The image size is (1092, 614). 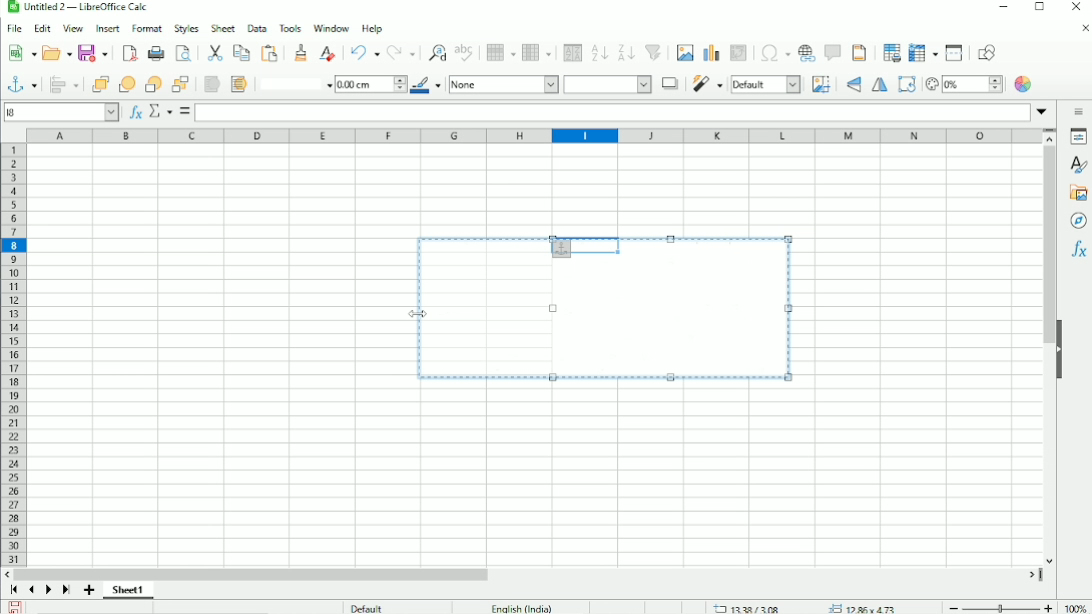 I want to click on Save, so click(x=16, y=606).